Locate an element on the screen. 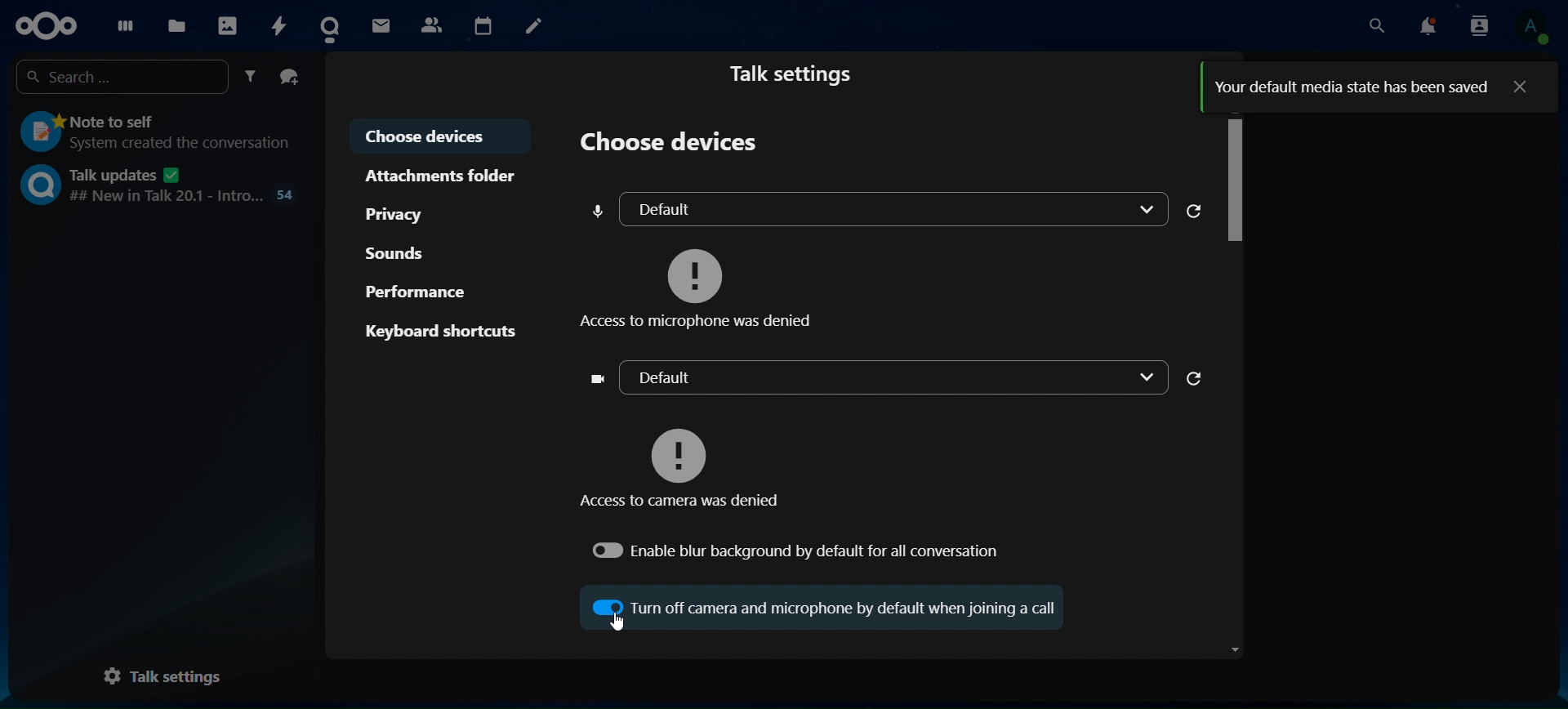  turn off camera and microphone by default when joining a call is located at coordinates (835, 607).